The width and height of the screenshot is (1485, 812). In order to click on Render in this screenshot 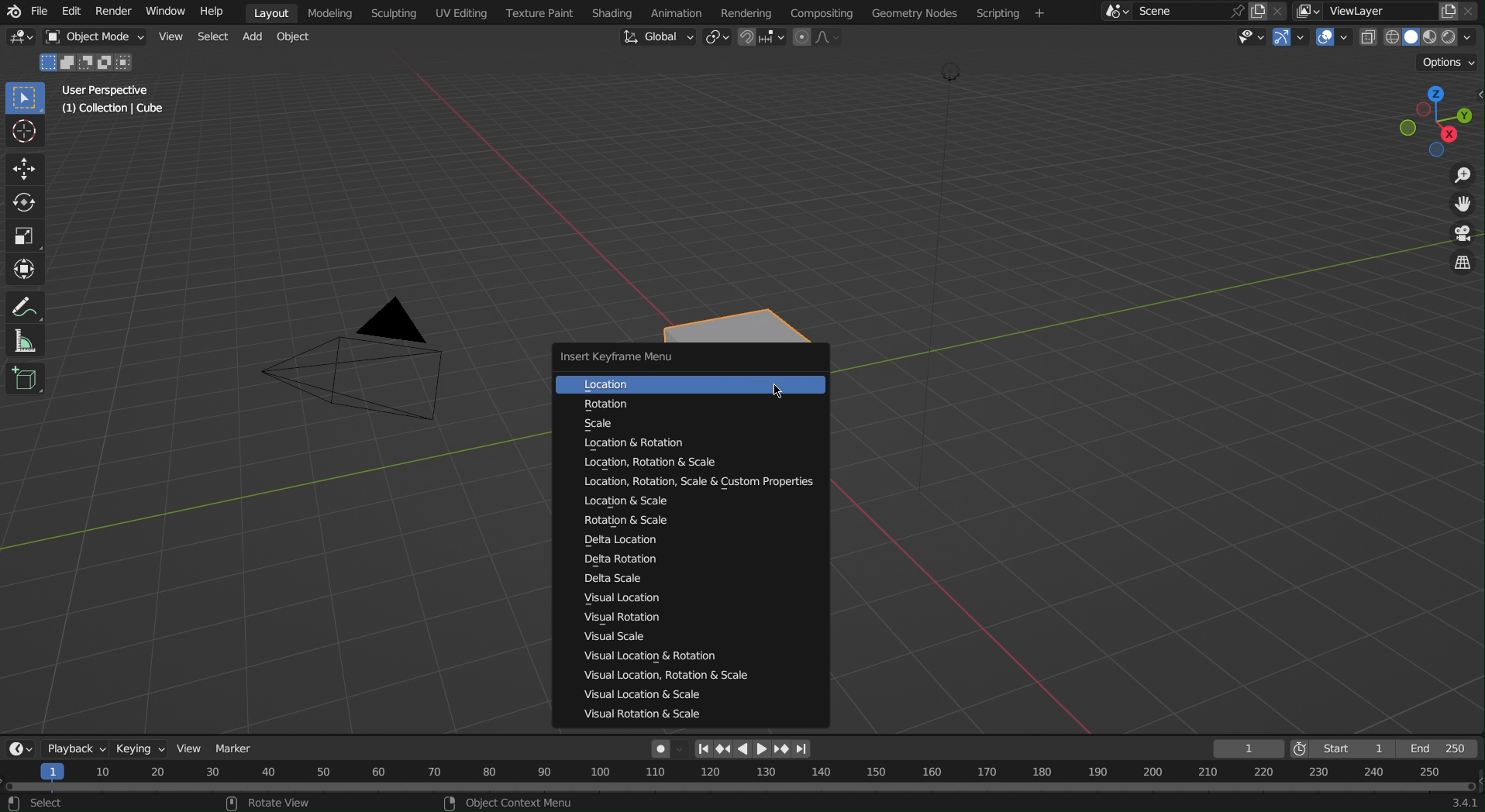, I will do `click(115, 12)`.